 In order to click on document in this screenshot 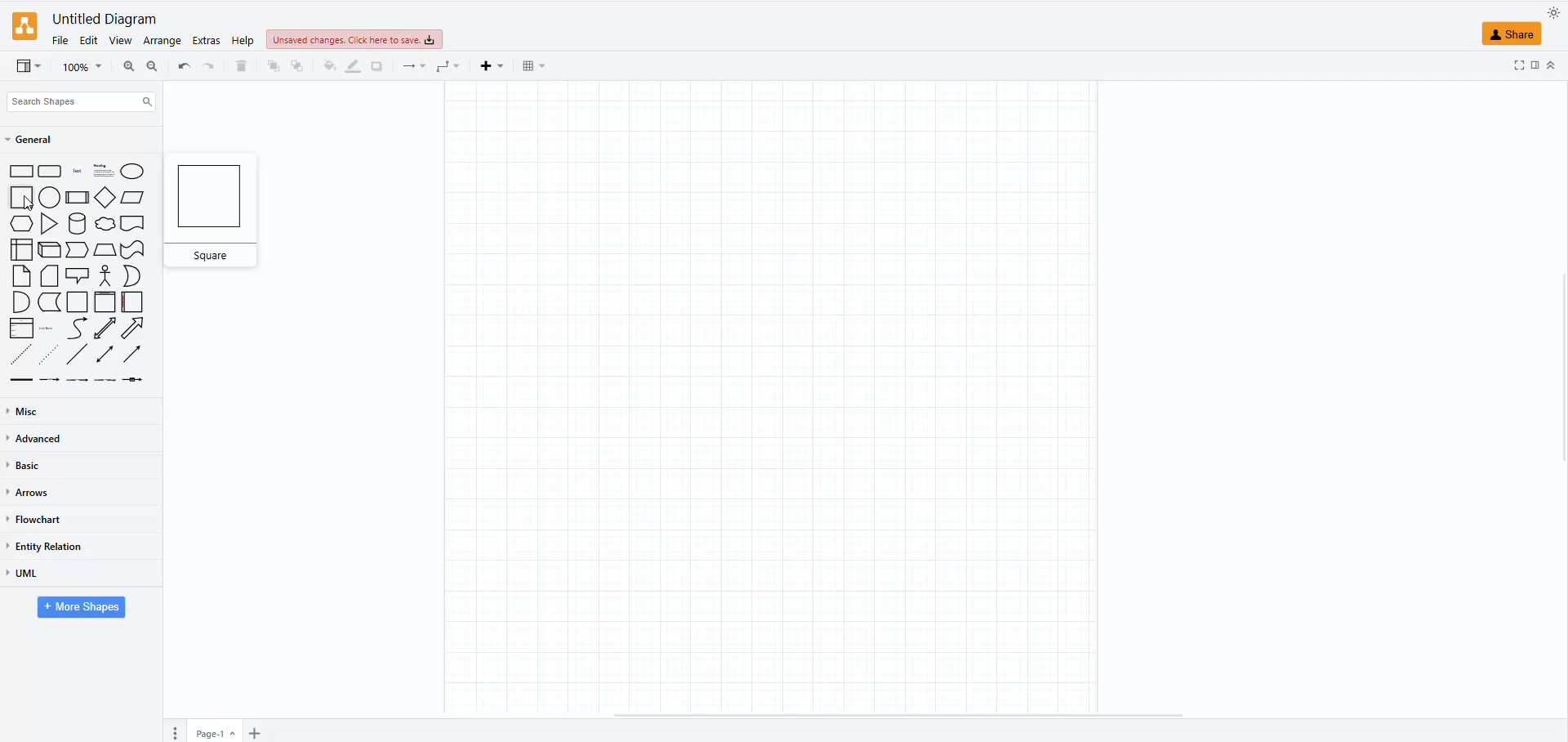, I will do `click(134, 224)`.